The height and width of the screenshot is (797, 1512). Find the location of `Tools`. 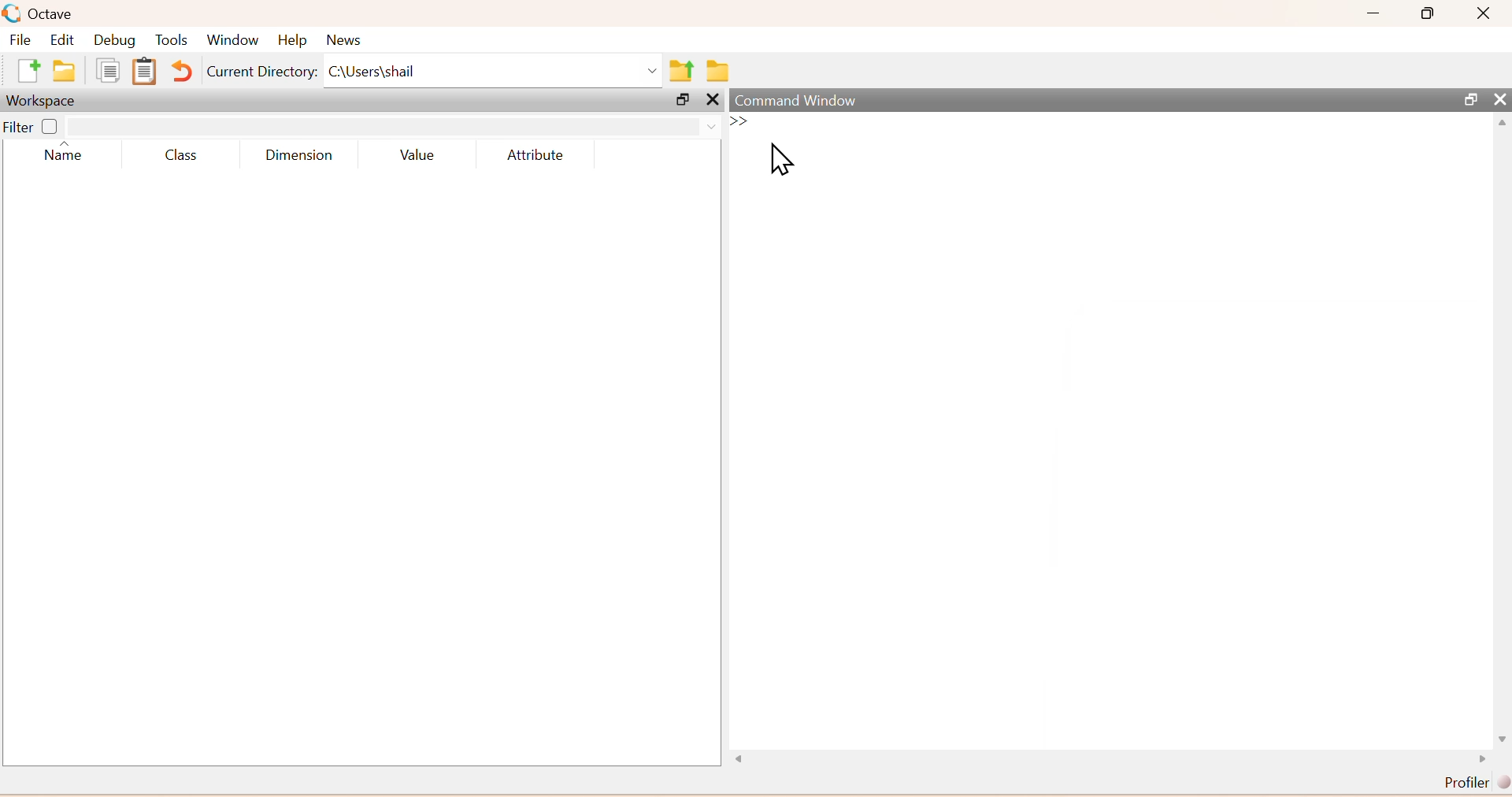

Tools is located at coordinates (172, 42).